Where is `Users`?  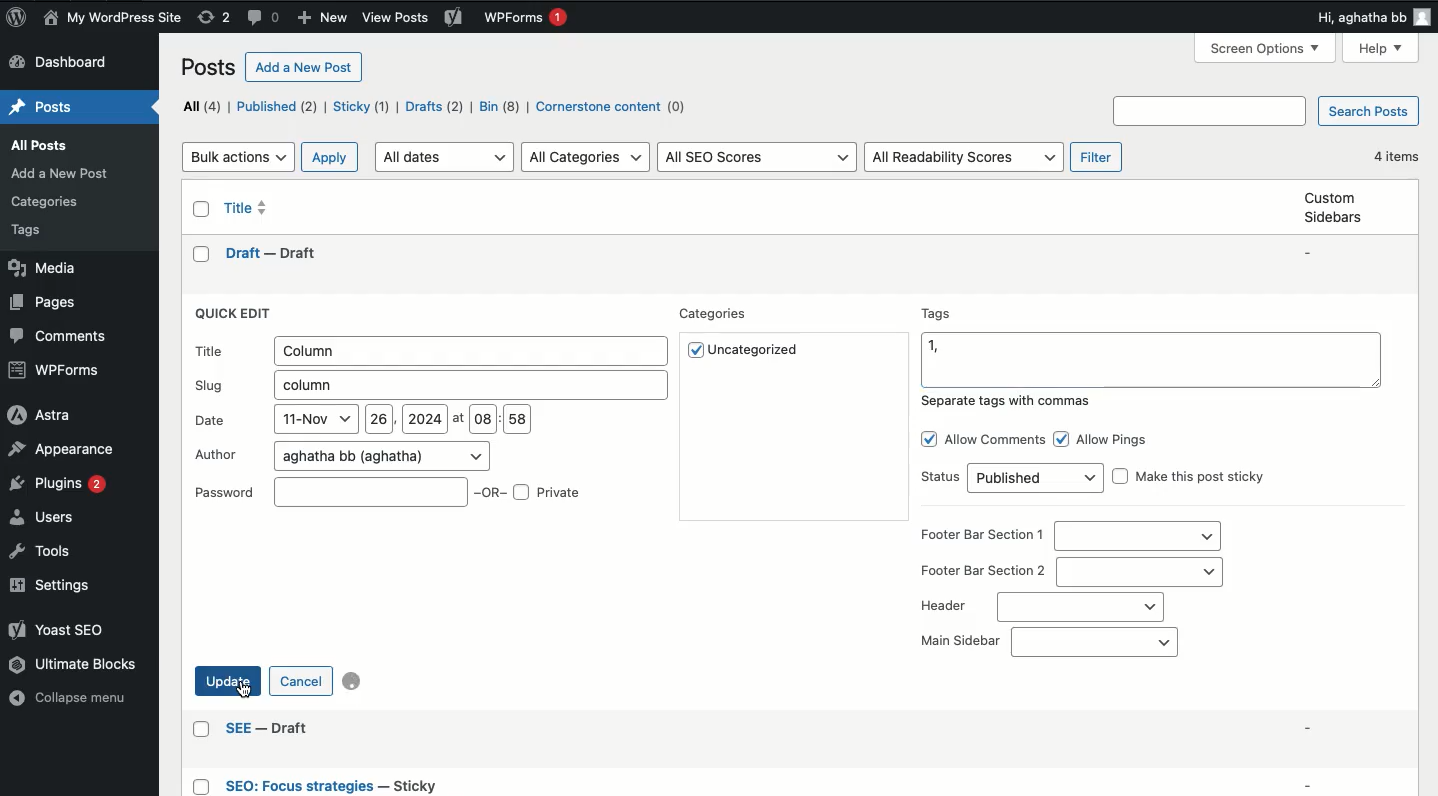 Users is located at coordinates (44, 519).